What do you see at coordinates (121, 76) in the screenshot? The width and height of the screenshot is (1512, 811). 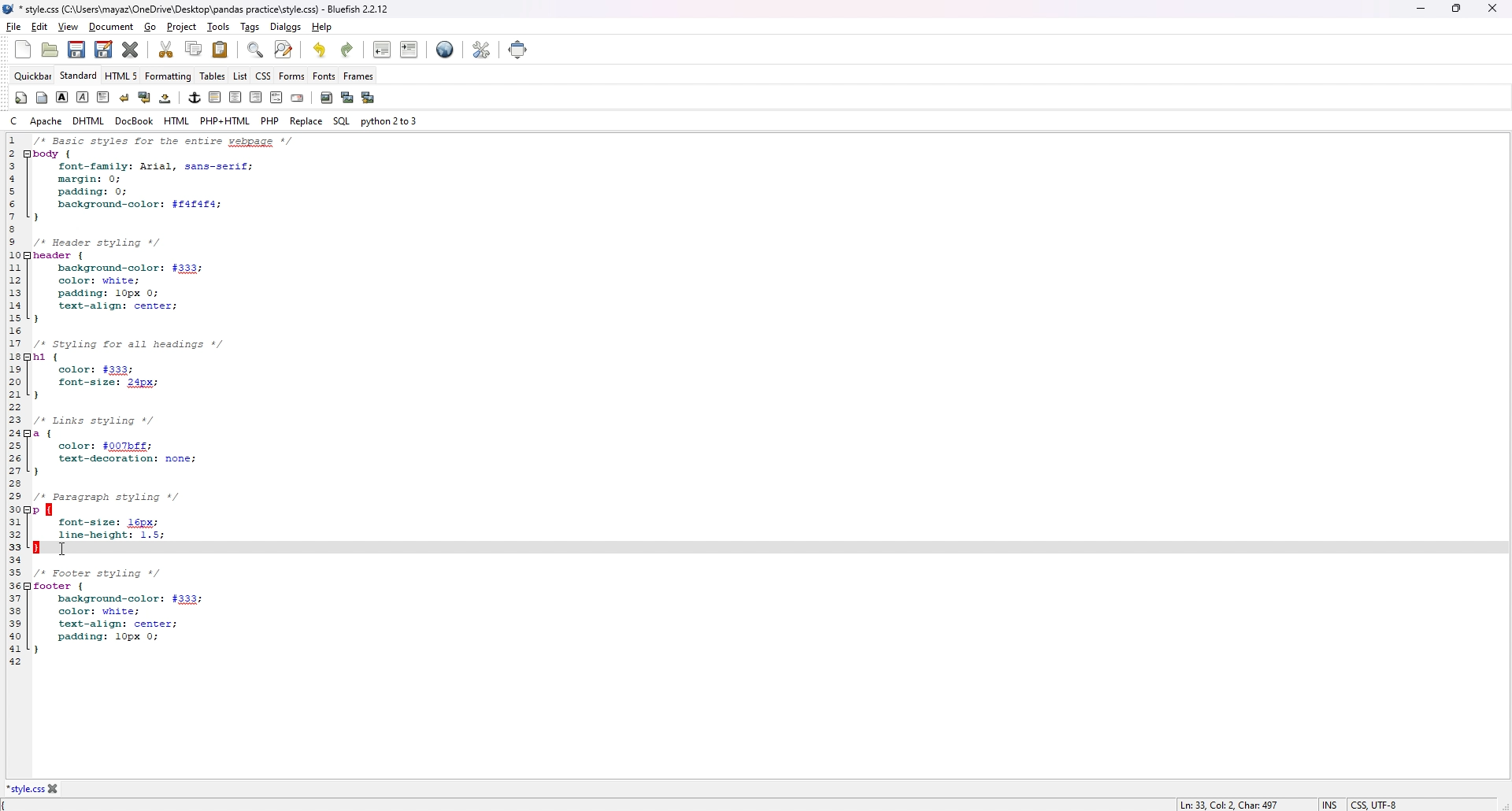 I see `html 5` at bounding box center [121, 76].